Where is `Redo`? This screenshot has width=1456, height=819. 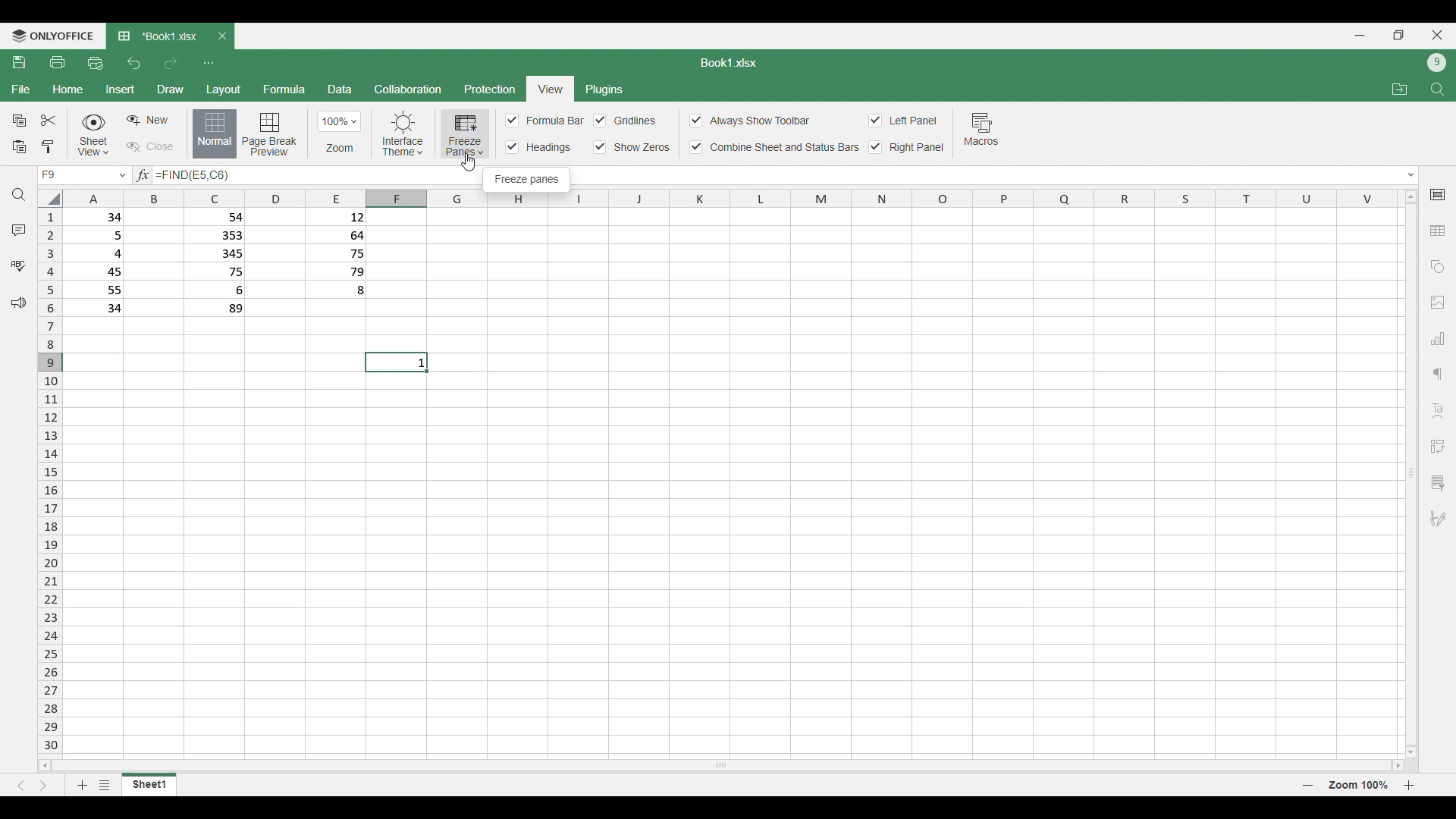
Redo is located at coordinates (171, 64).